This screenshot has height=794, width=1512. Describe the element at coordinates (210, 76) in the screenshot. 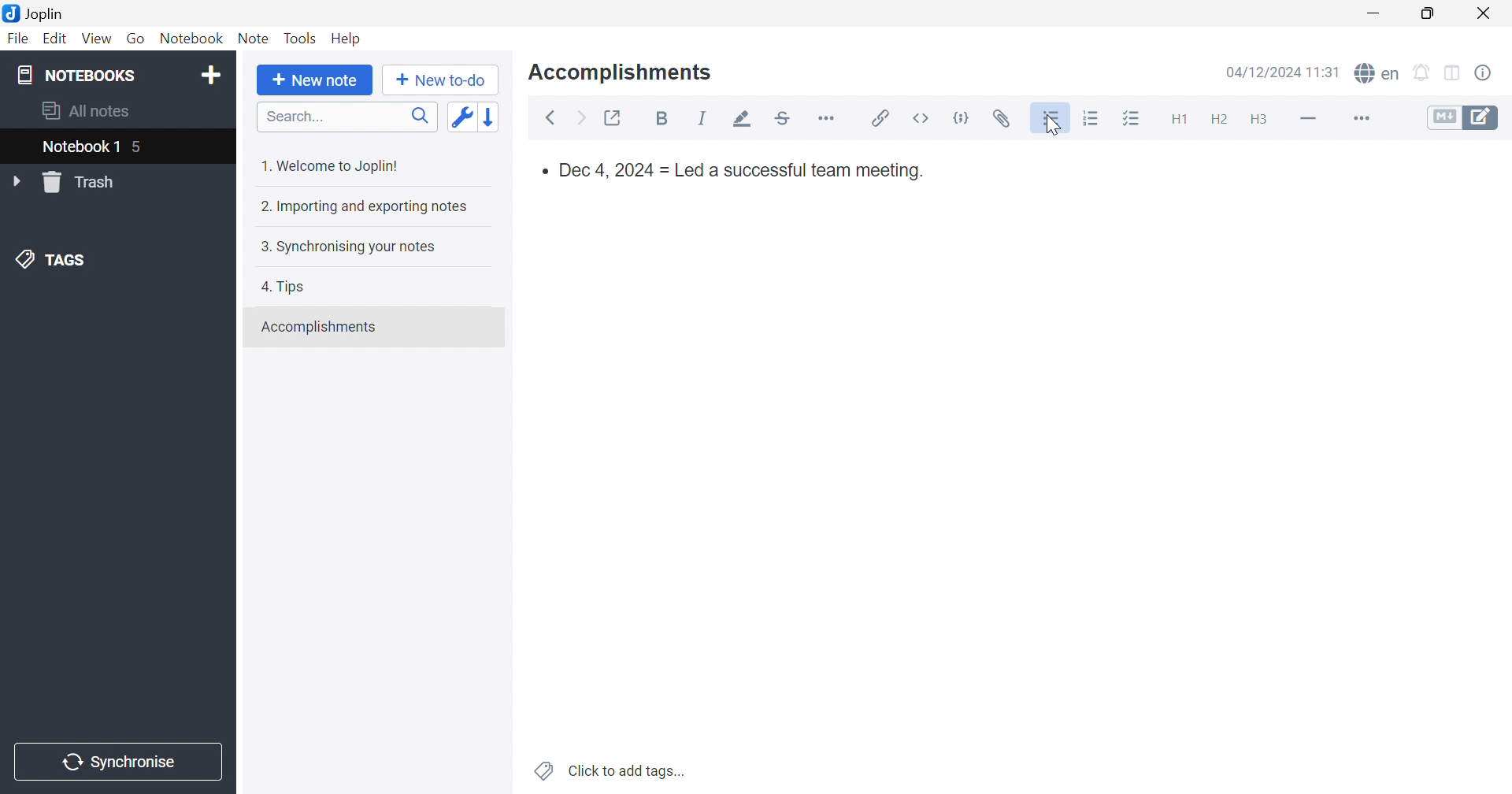

I see `Add notebook` at that location.